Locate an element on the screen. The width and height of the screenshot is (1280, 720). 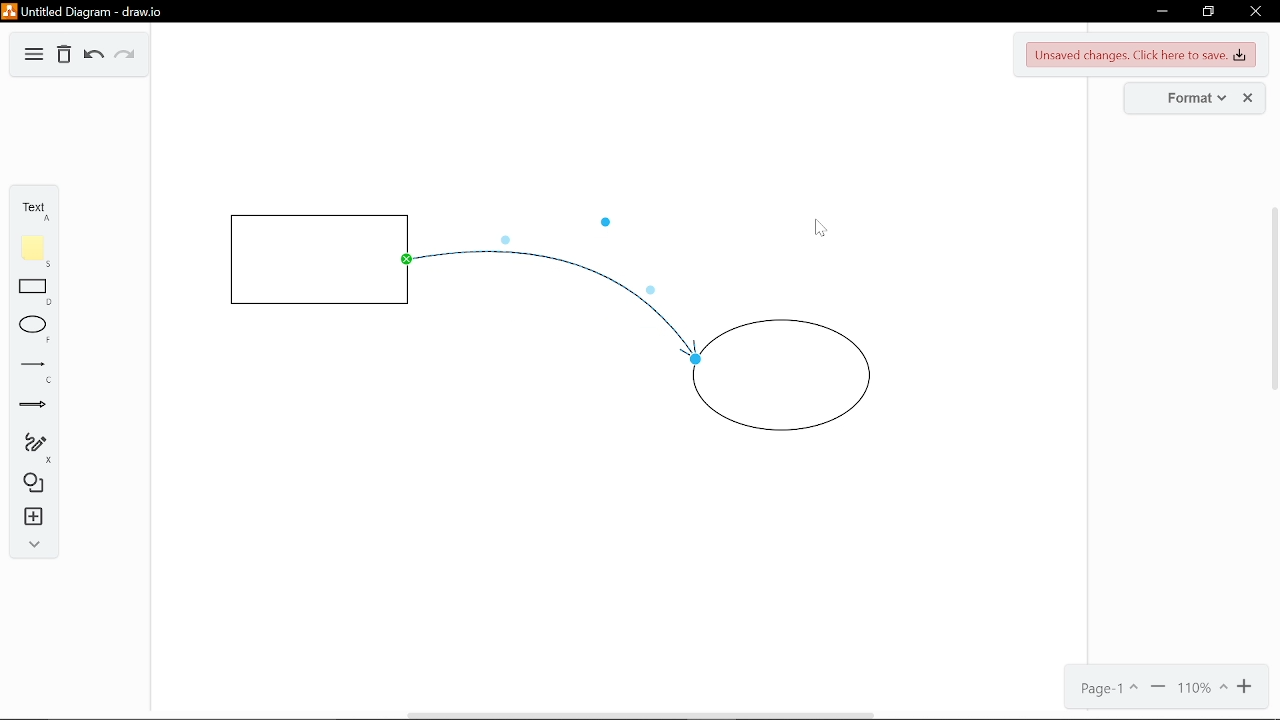
Square shape is located at coordinates (315, 259).